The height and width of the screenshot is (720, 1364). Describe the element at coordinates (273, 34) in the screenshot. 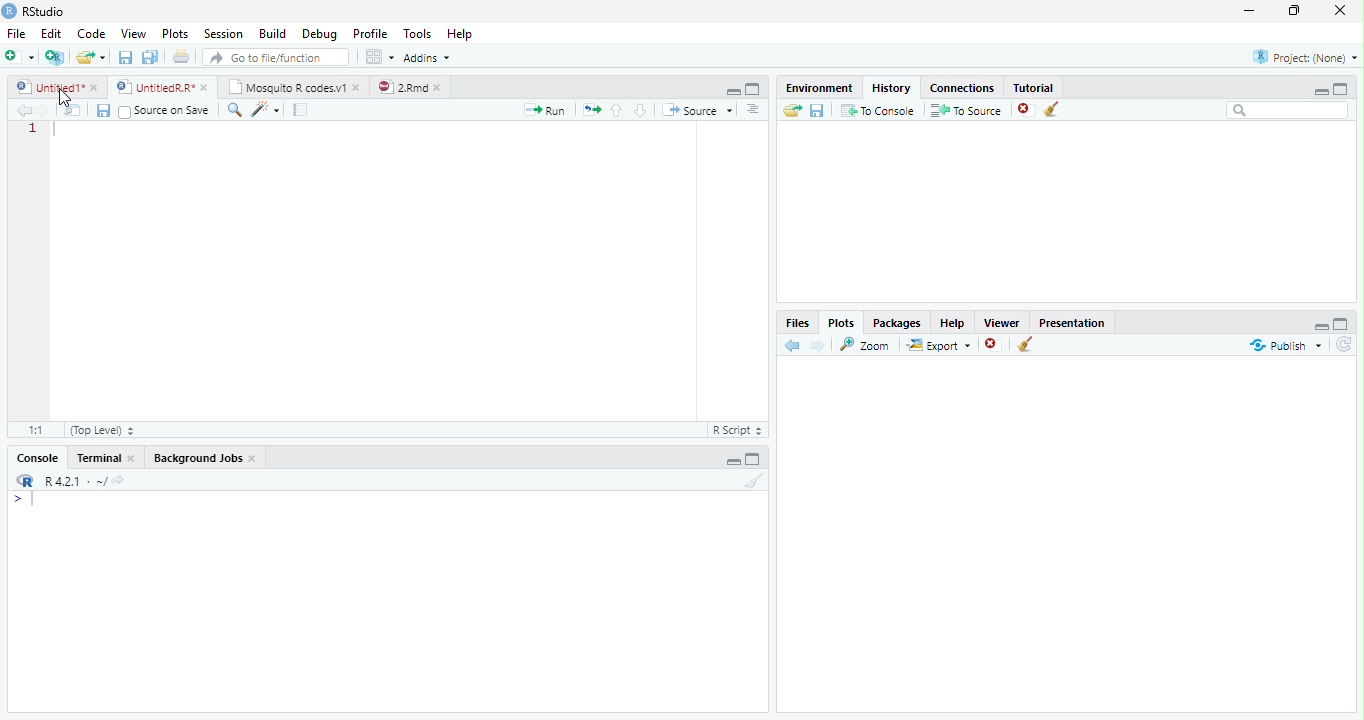

I see `Build` at that location.